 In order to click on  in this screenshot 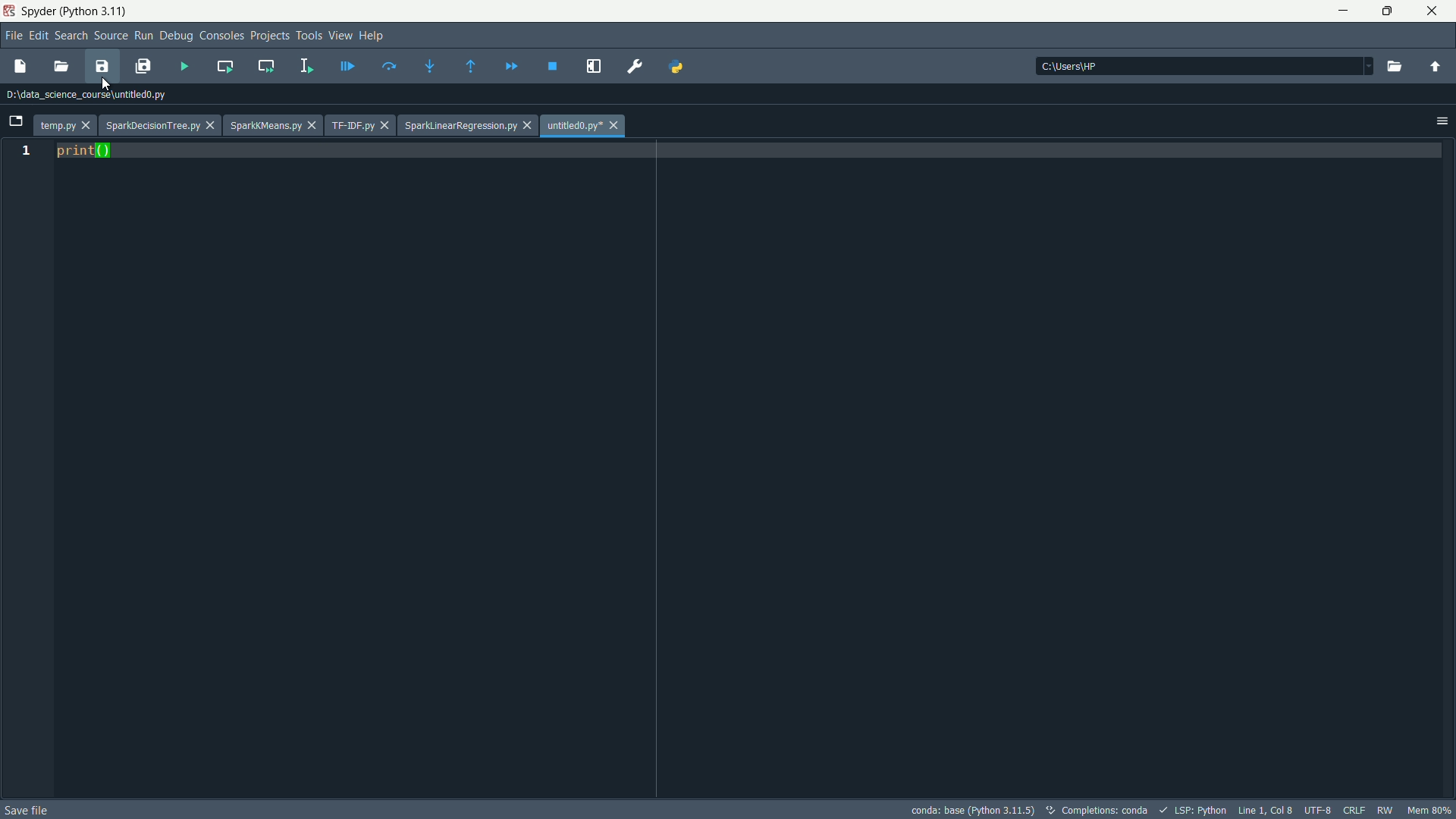, I will do `click(1384, 809)`.